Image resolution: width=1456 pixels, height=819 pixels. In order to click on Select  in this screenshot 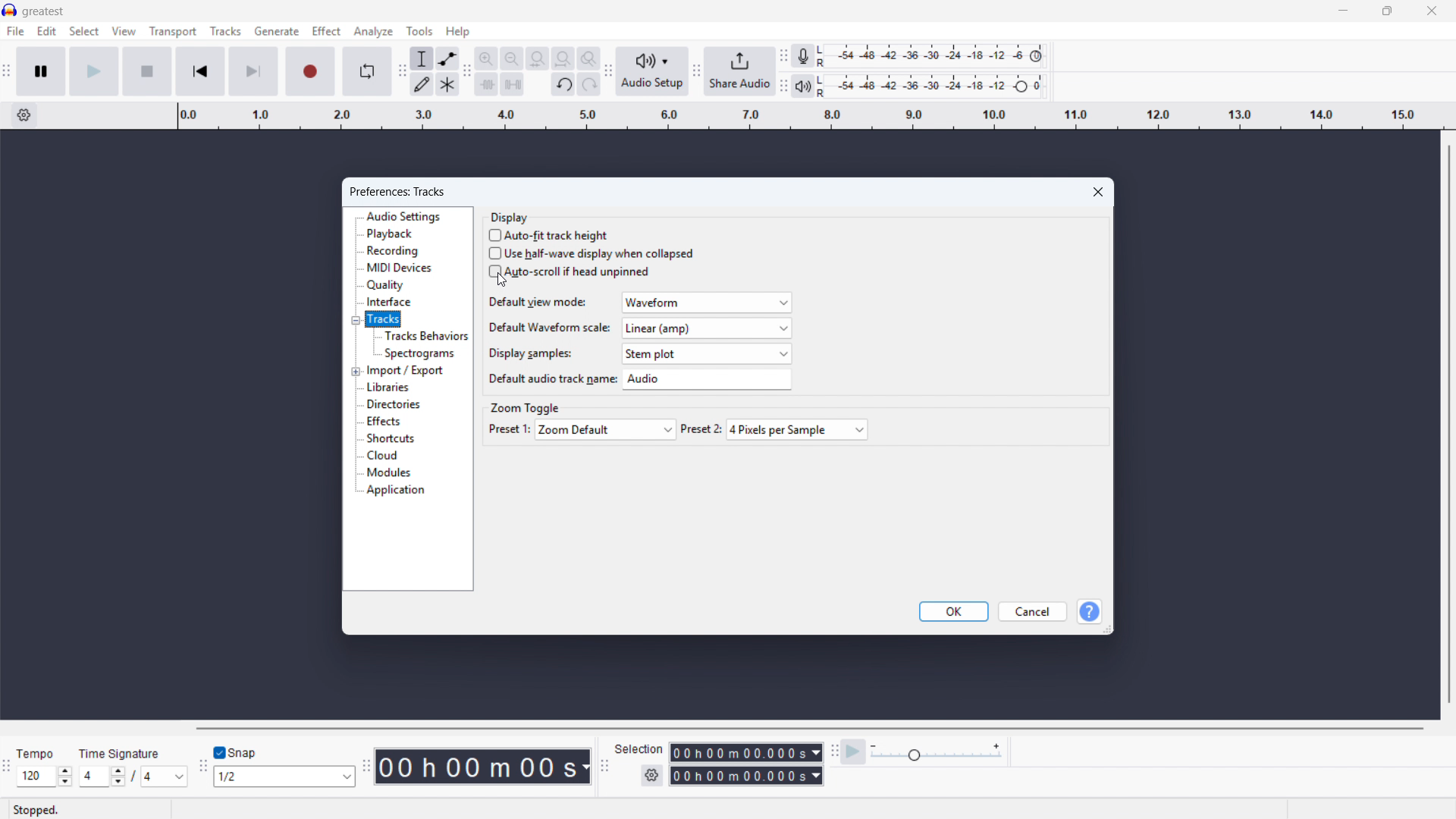, I will do `click(84, 30)`.